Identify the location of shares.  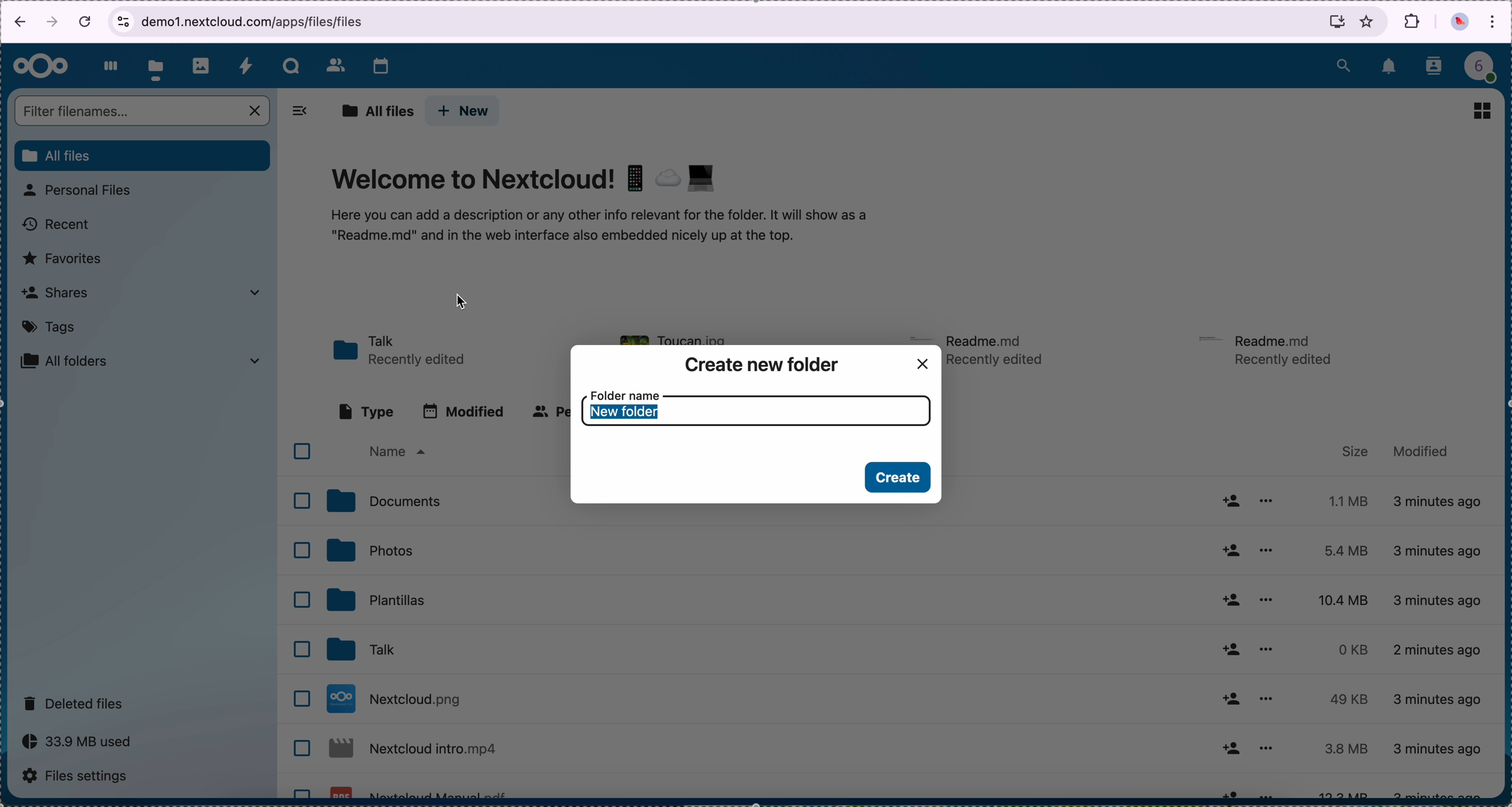
(140, 292).